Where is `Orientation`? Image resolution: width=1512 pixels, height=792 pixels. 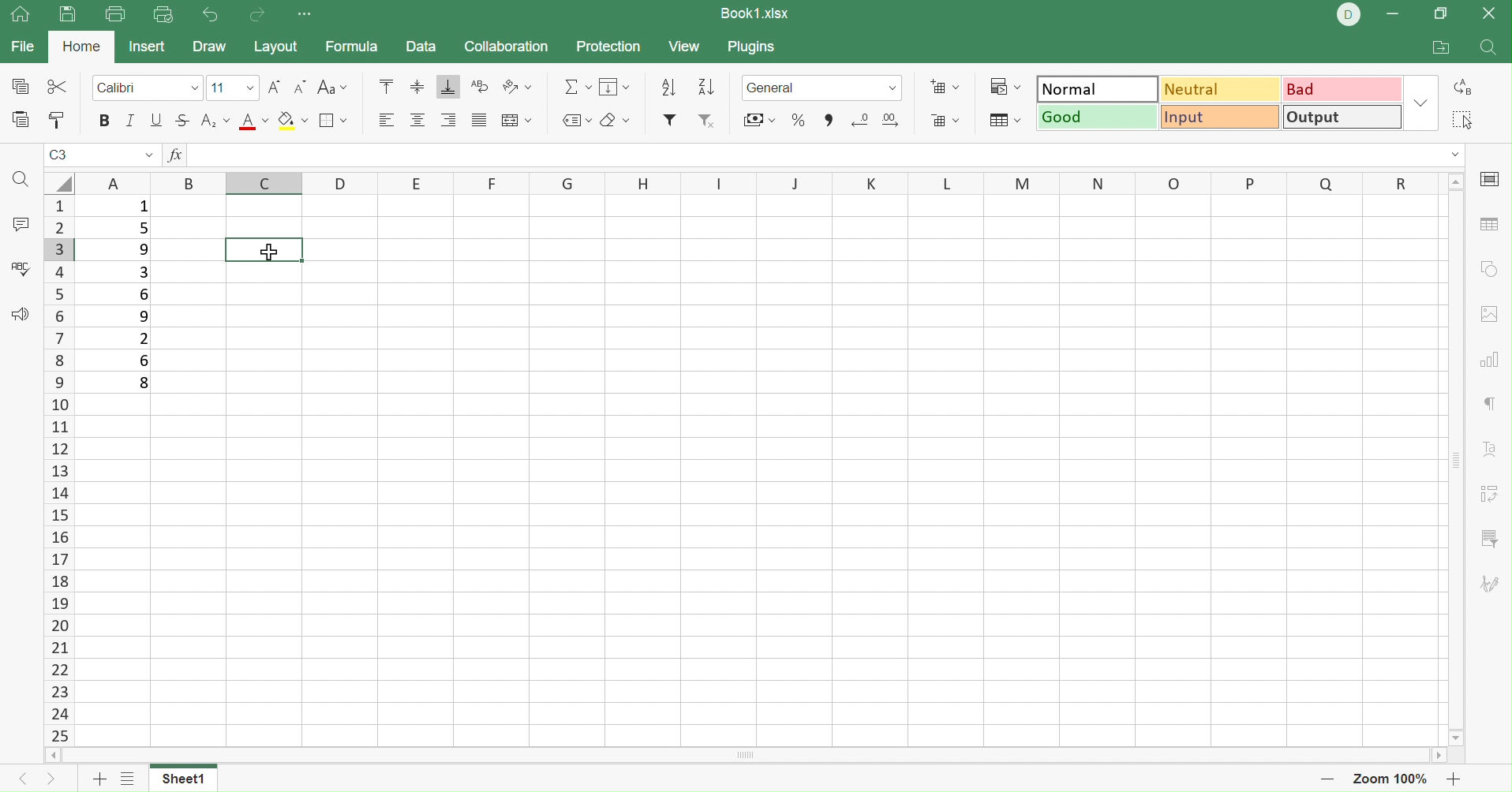 Orientation is located at coordinates (515, 88).